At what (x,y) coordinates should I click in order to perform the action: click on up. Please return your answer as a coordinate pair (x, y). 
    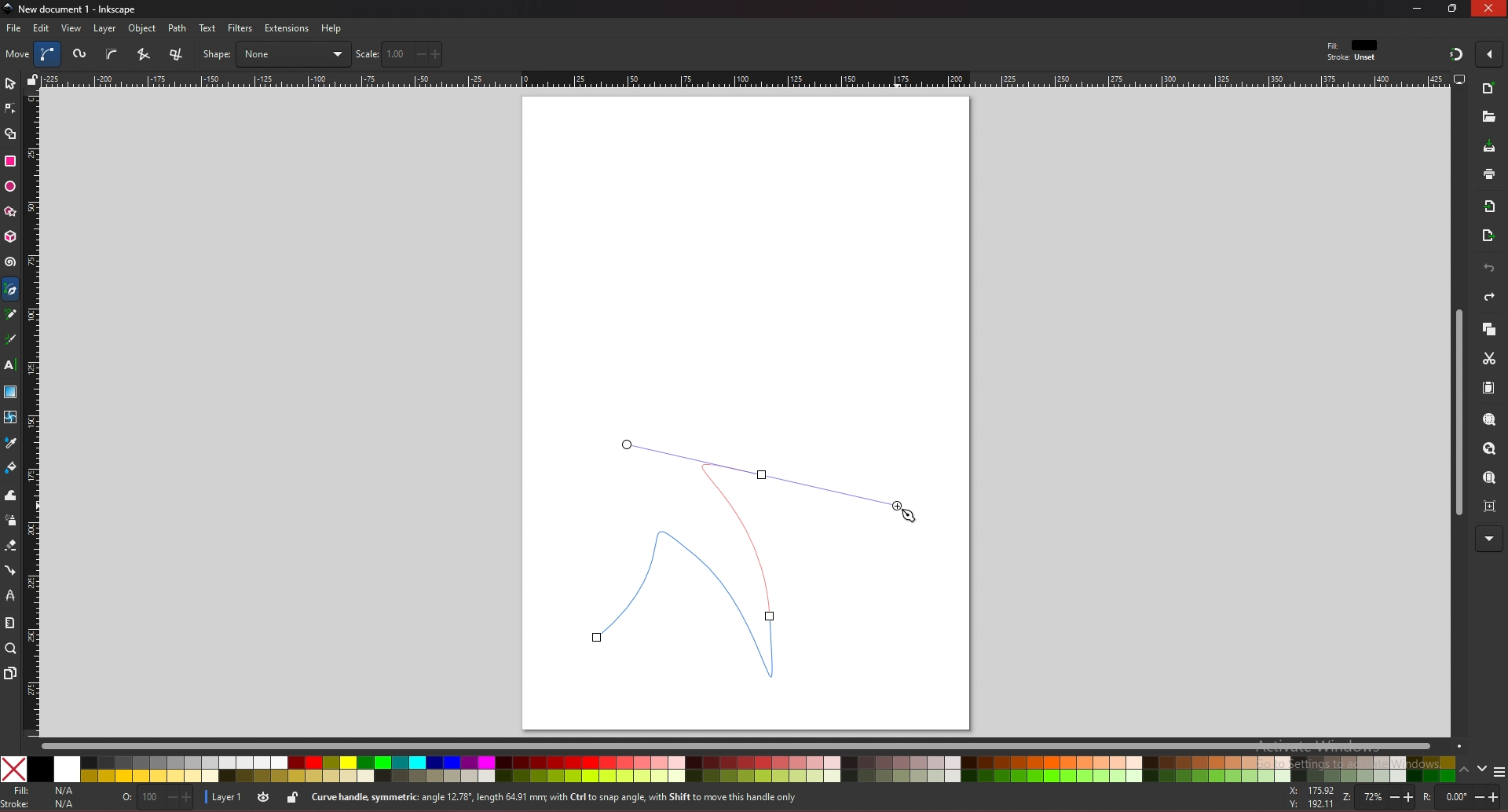
    Looking at the image, I should click on (1465, 772).